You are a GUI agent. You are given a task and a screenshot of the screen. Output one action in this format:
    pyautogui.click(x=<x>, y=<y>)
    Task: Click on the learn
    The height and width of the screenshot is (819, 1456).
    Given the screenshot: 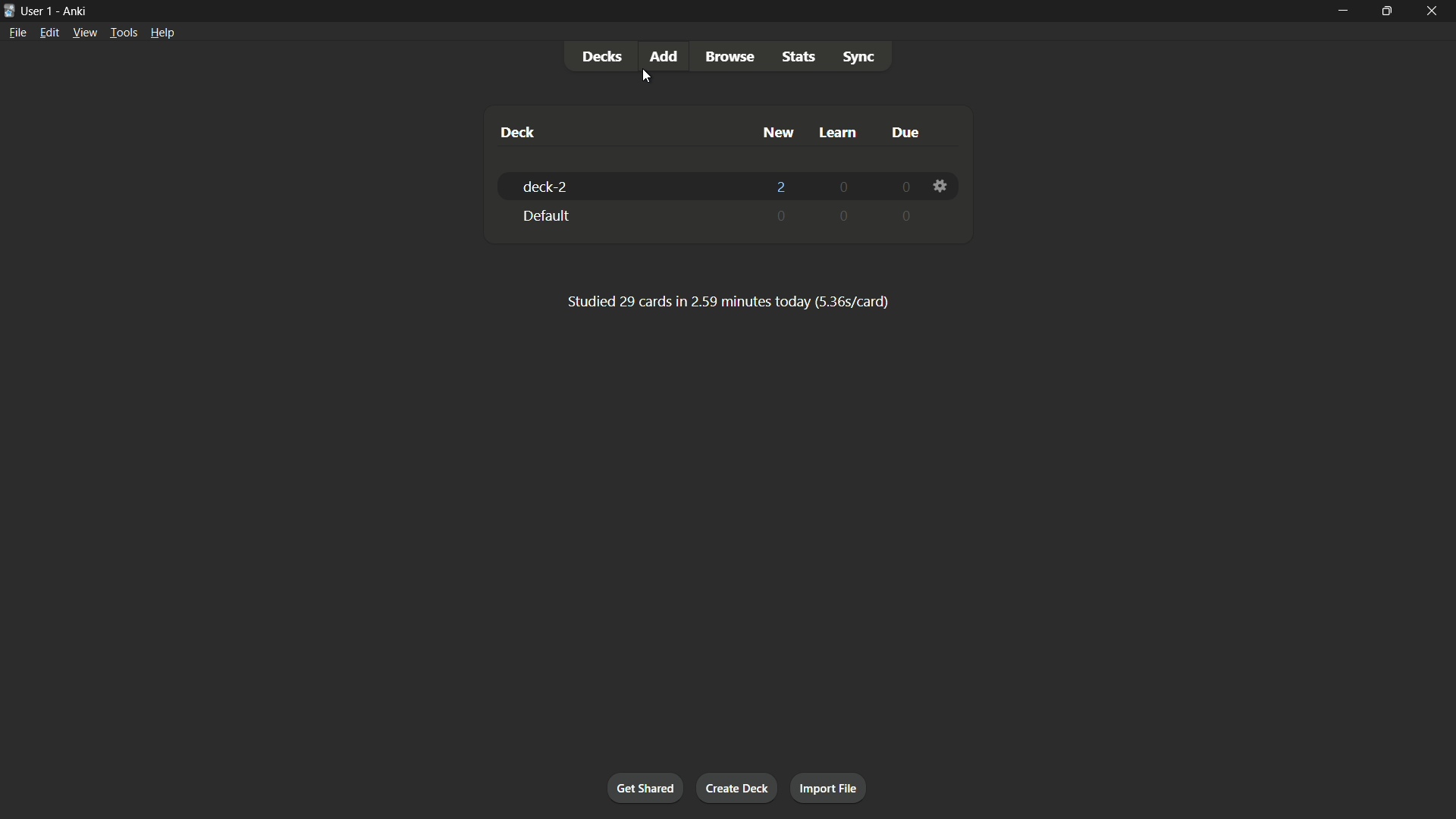 What is the action you would take?
    pyautogui.click(x=836, y=132)
    